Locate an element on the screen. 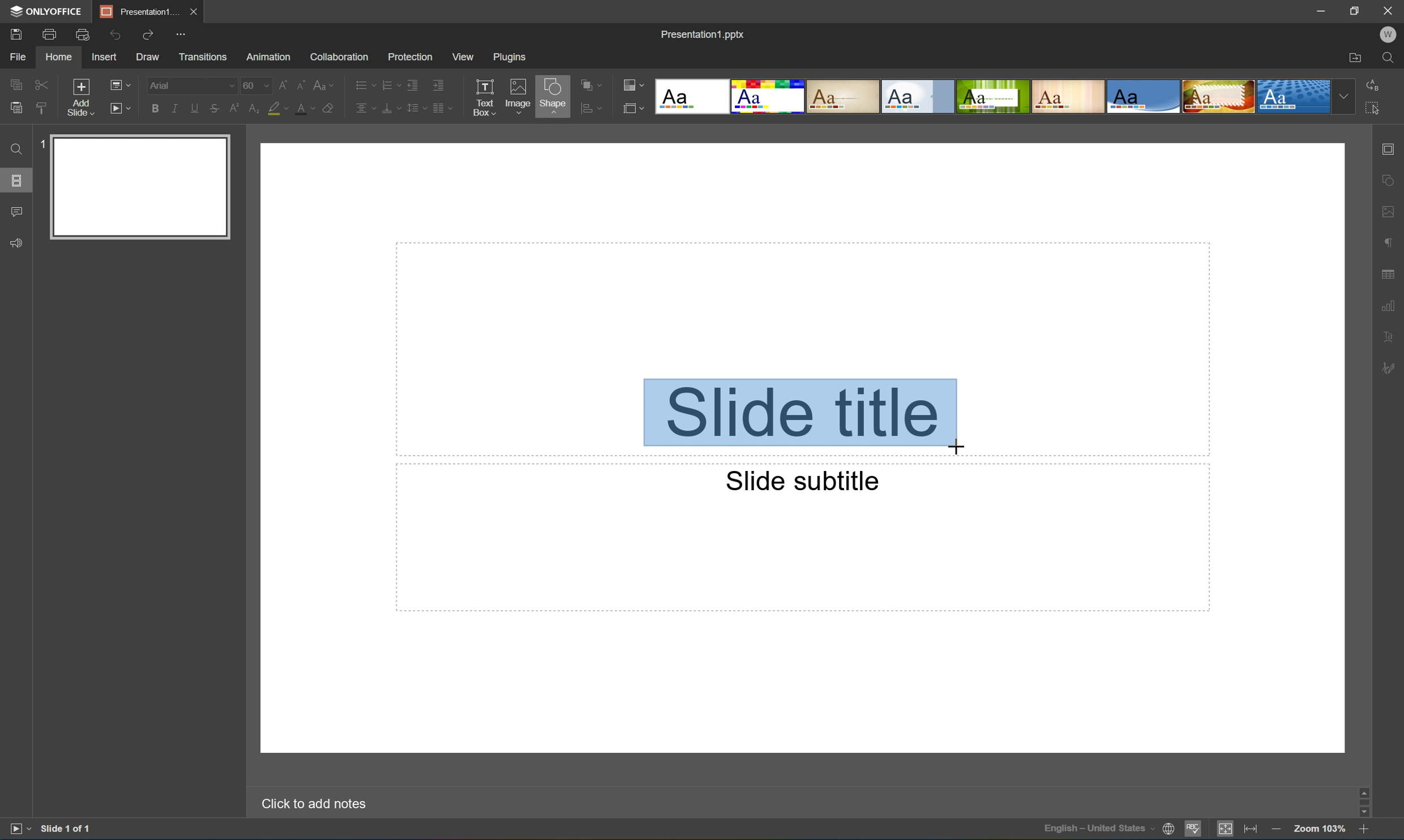 The height and width of the screenshot is (840, 1404). Close is located at coordinates (194, 11).